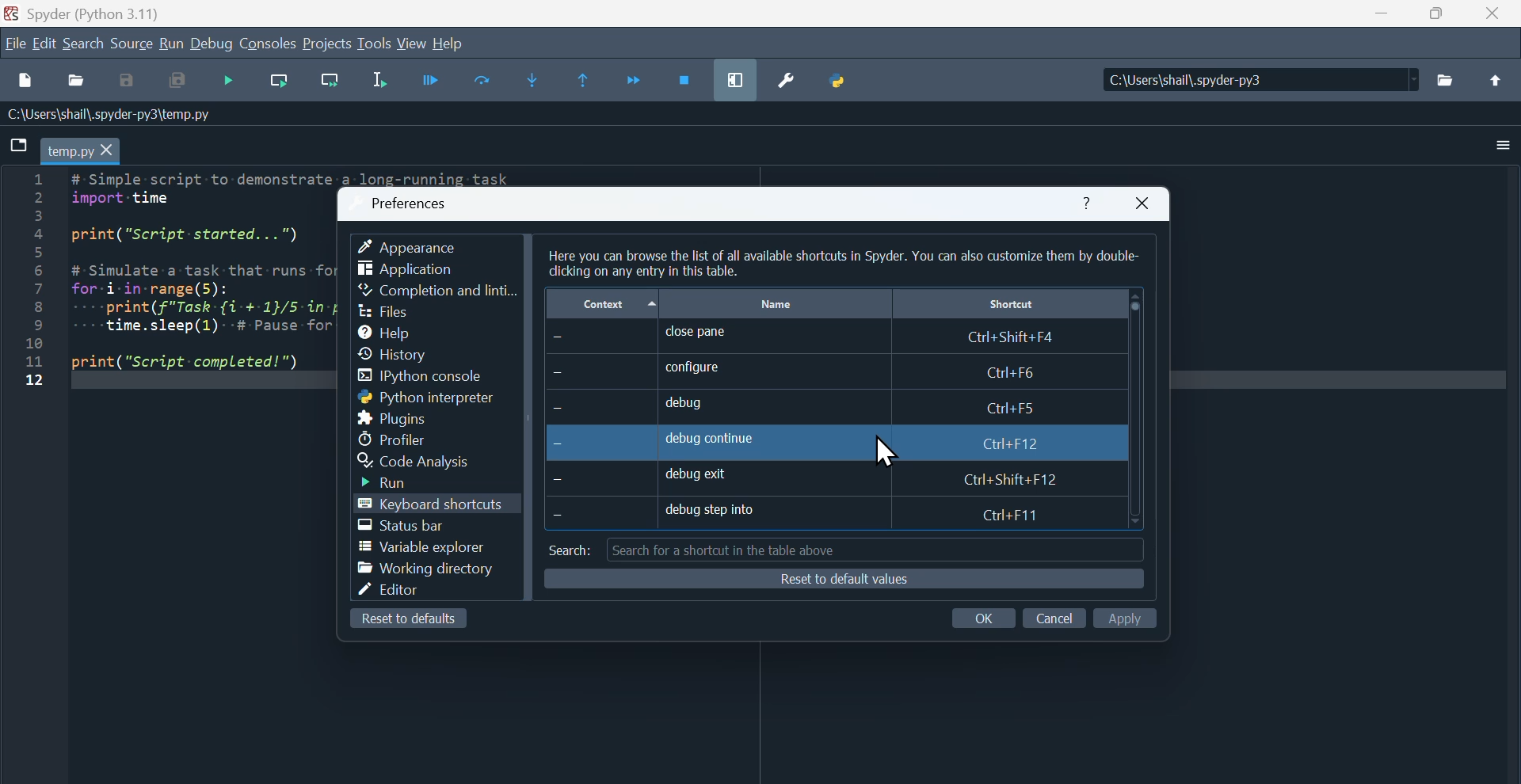  I want to click on Run current cell, so click(483, 81).